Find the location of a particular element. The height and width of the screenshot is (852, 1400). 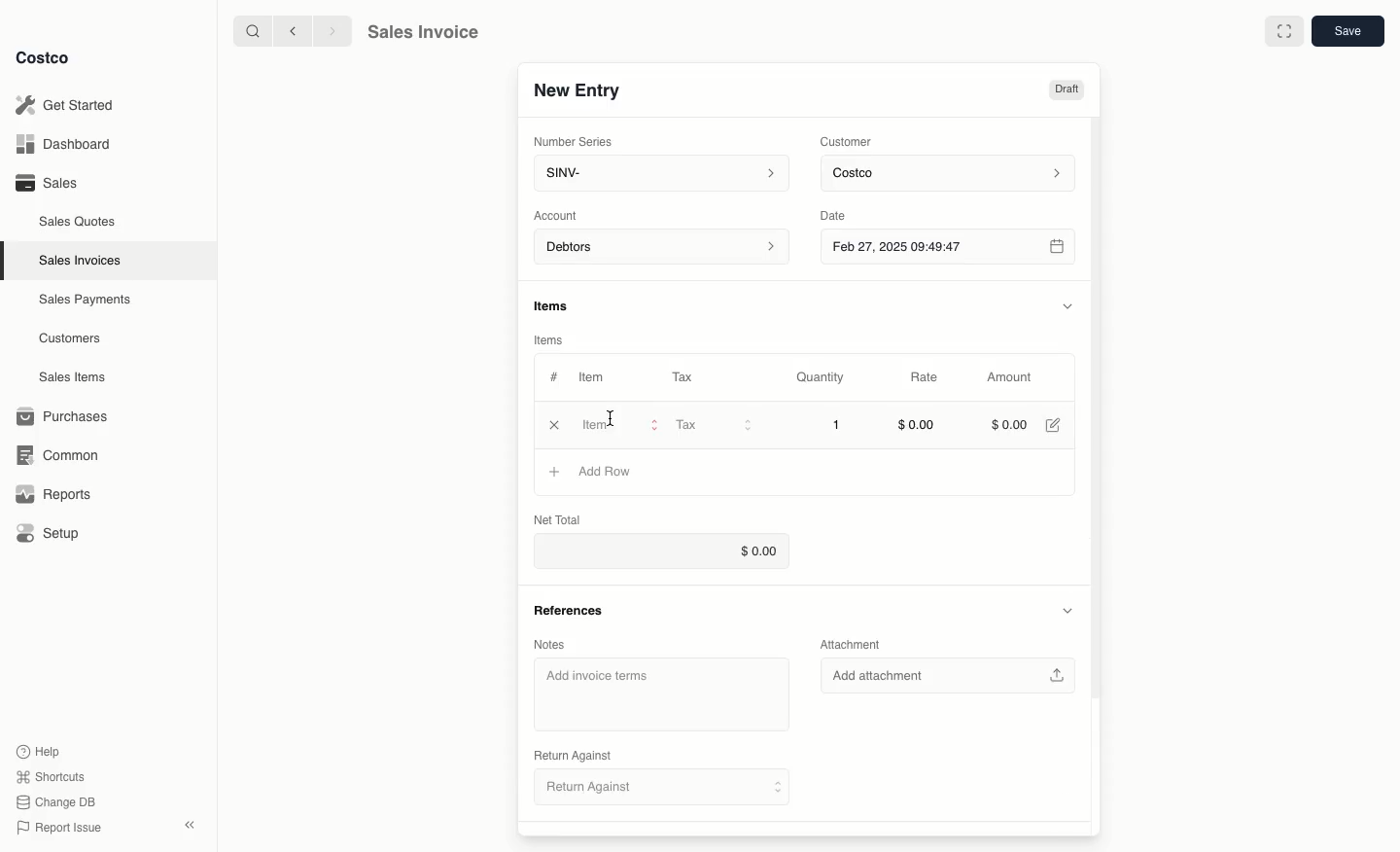

Items is located at coordinates (552, 340).